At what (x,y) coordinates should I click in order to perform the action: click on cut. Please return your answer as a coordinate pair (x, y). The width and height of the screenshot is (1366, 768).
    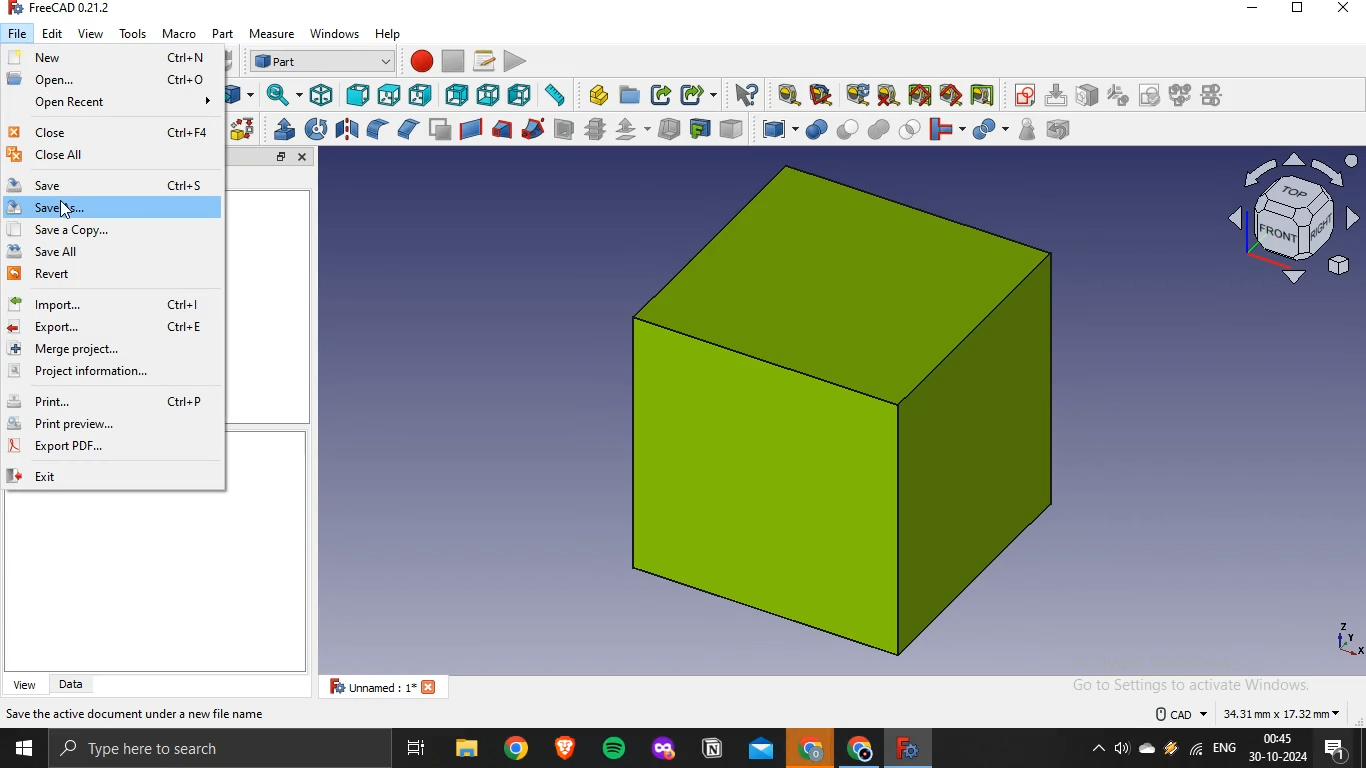
    Looking at the image, I should click on (847, 129).